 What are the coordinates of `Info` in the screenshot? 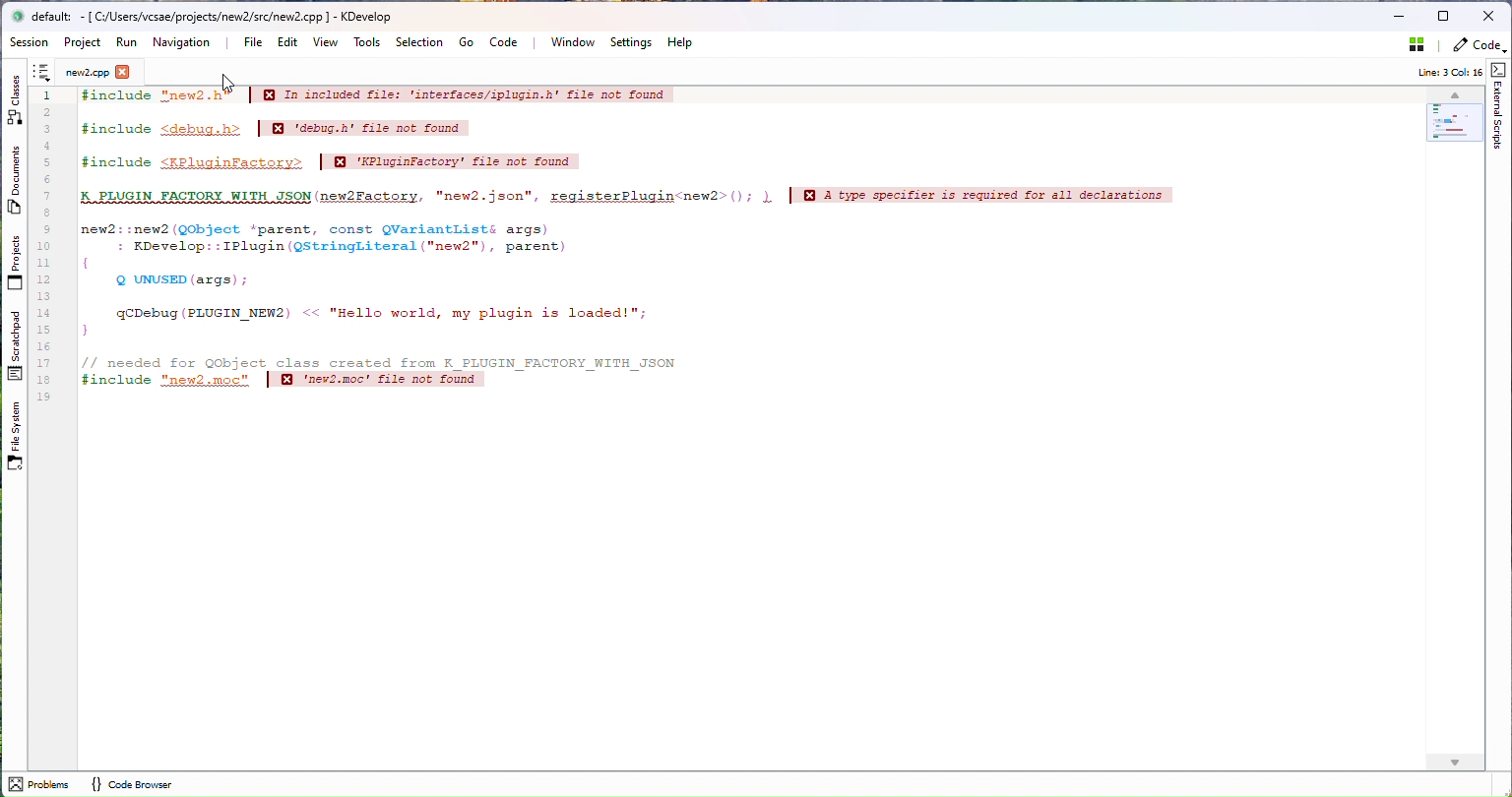 It's located at (1446, 71).